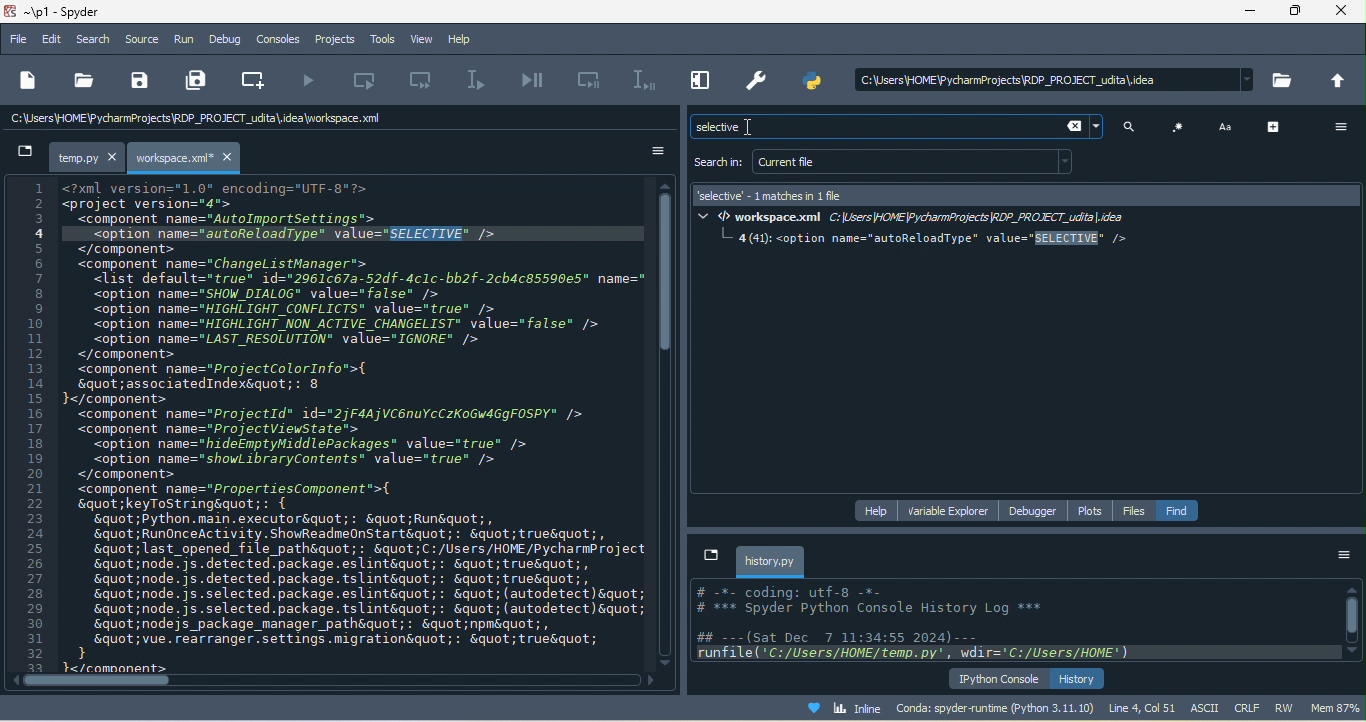 The height and width of the screenshot is (722, 1366). What do you see at coordinates (1179, 127) in the screenshot?
I see `icon` at bounding box center [1179, 127].